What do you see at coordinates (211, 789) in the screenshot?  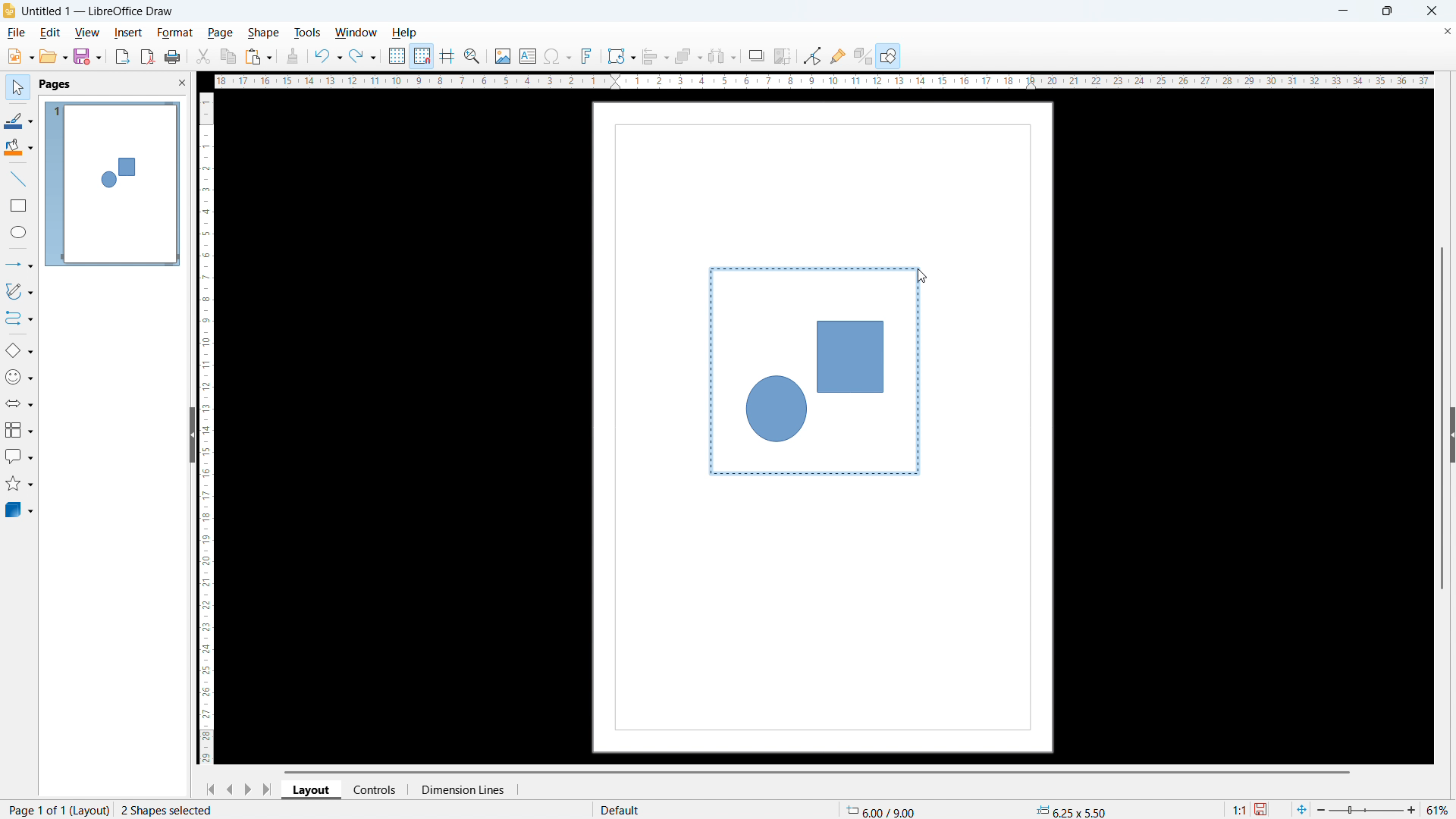 I see `go to first page` at bounding box center [211, 789].